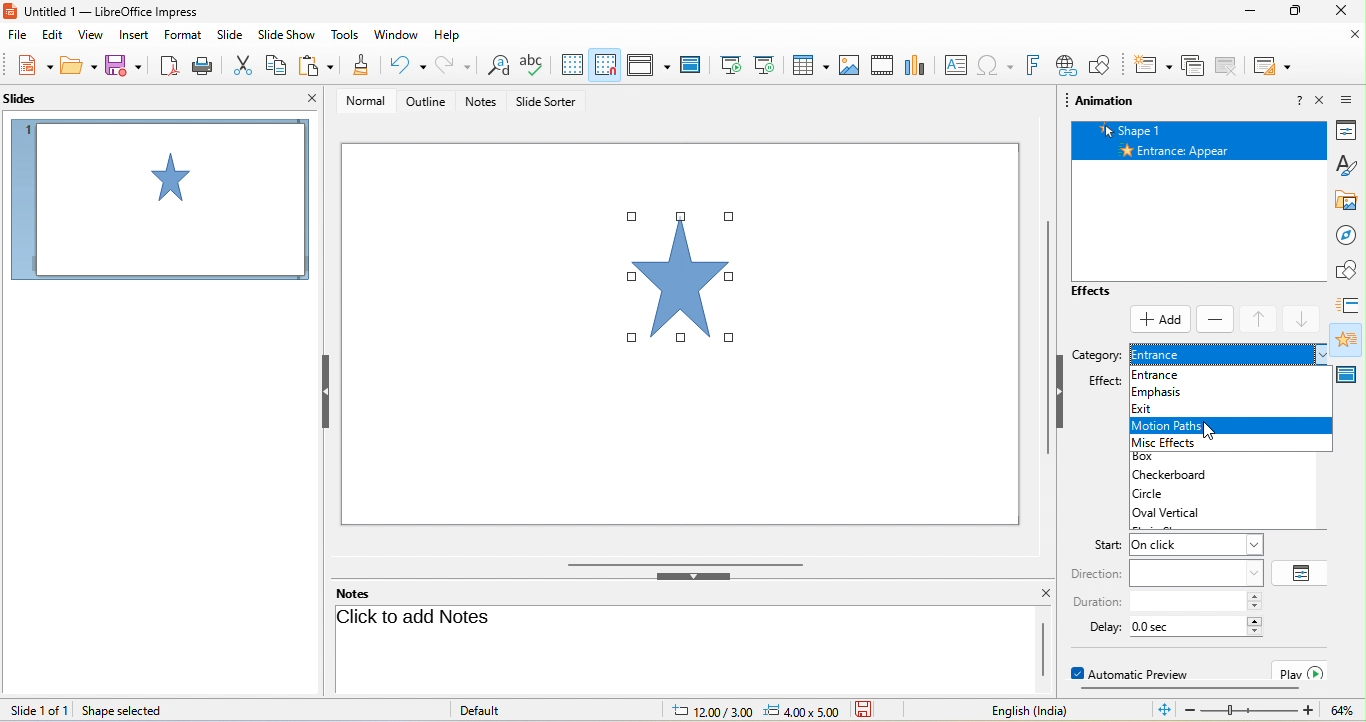 The width and height of the screenshot is (1366, 722). I want to click on view, so click(88, 36).